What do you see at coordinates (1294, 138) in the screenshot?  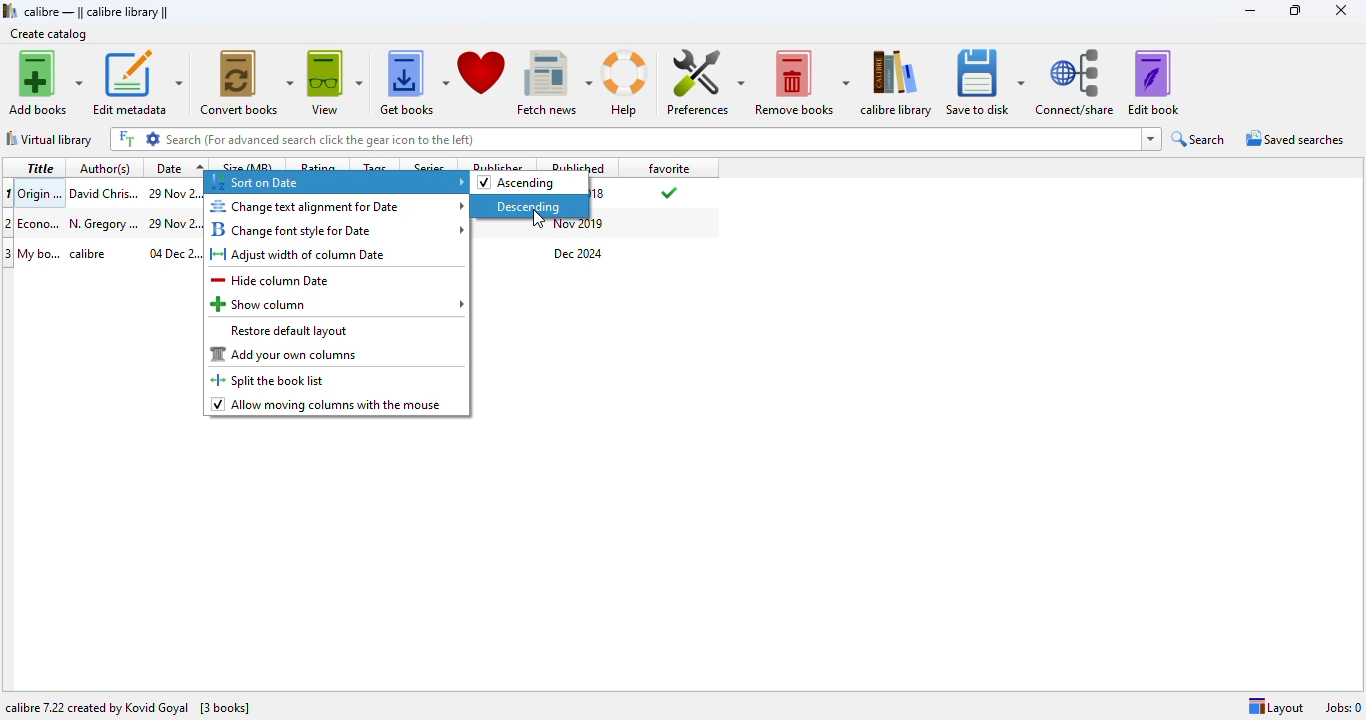 I see `saved searches` at bounding box center [1294, 138].